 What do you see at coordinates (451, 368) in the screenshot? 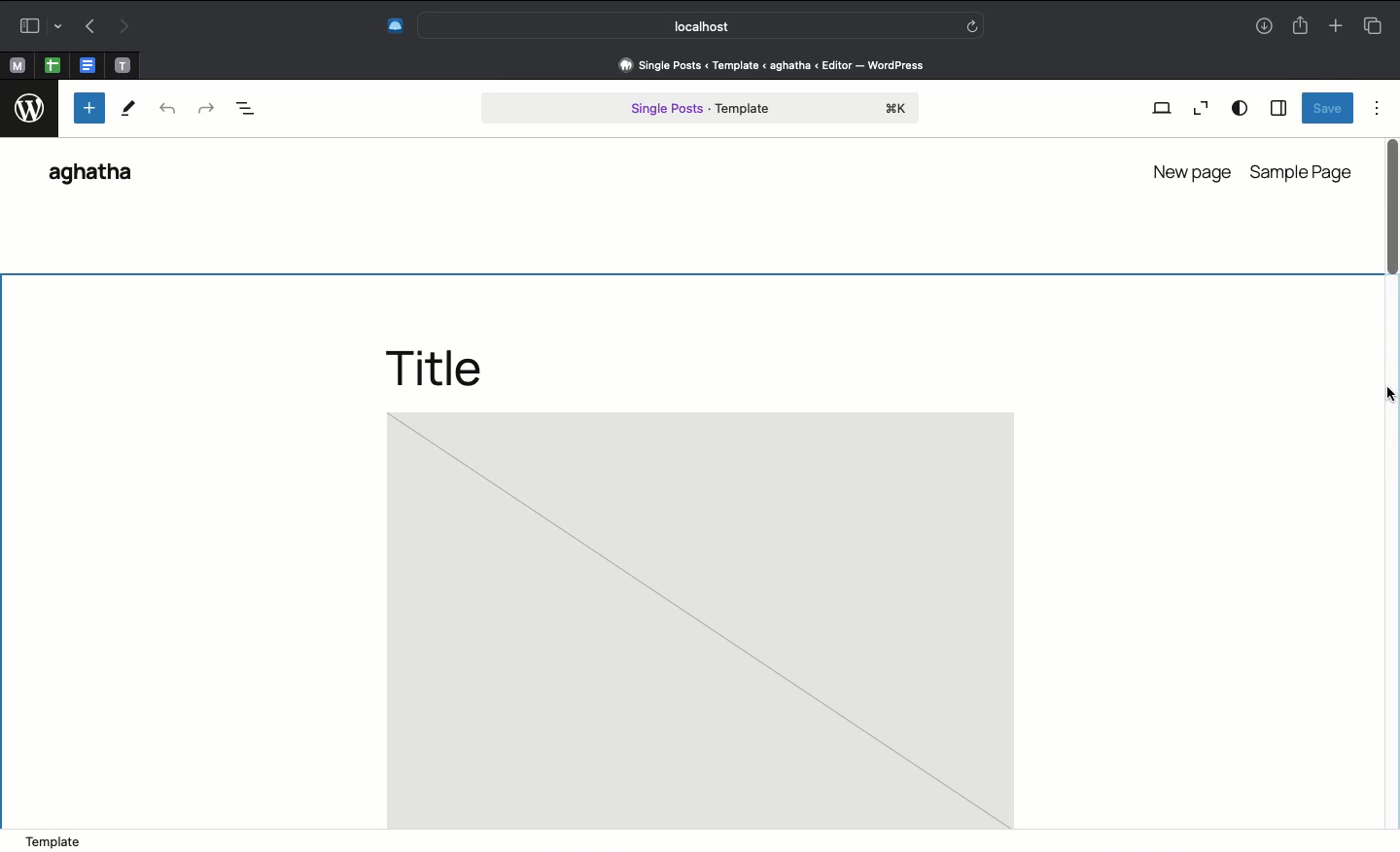
I see `Title` at bounding box center [451, 368].